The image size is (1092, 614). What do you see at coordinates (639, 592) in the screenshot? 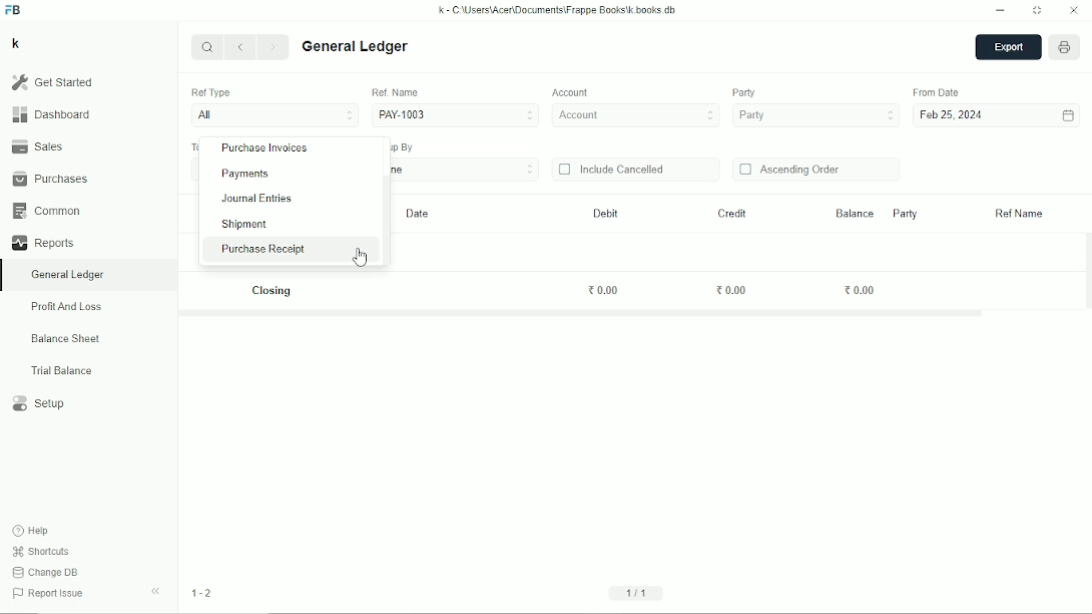
I see `1/1` at bounding box center [639, 592].